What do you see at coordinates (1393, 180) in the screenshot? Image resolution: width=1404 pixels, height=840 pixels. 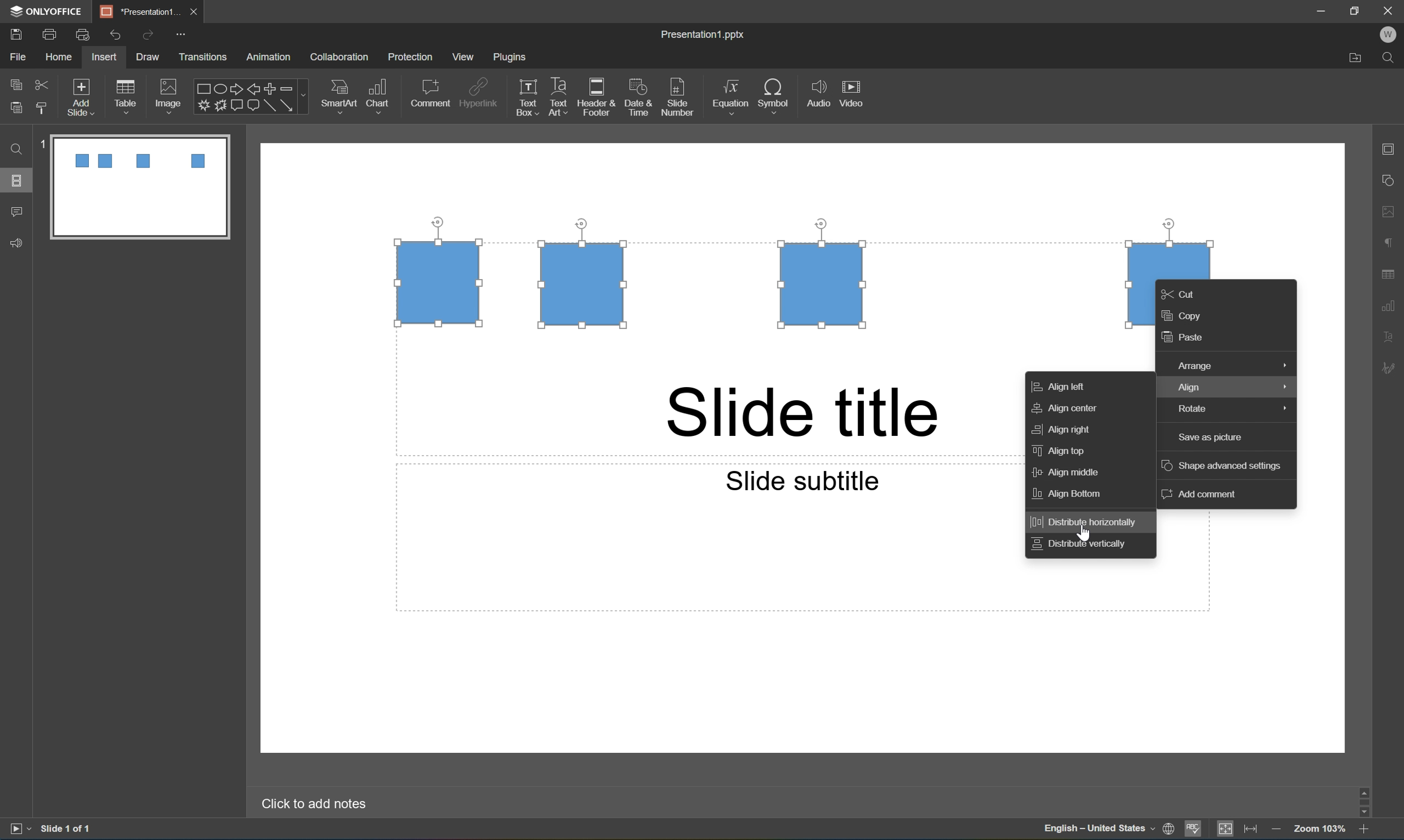 I see `shape settings` at bounding box center [1393, 180].